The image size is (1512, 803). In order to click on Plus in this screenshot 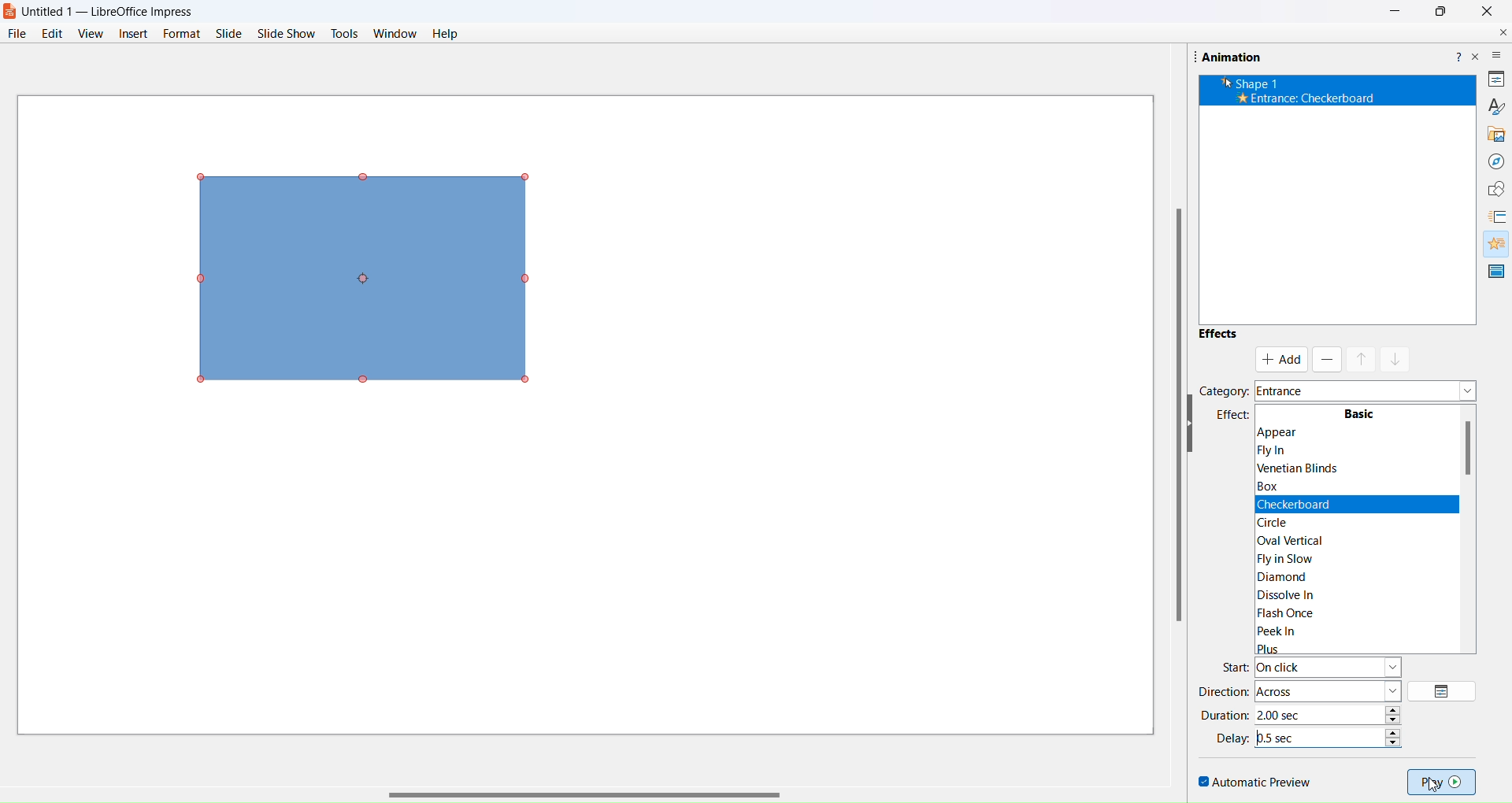, I will do `click(1324, 646)`.